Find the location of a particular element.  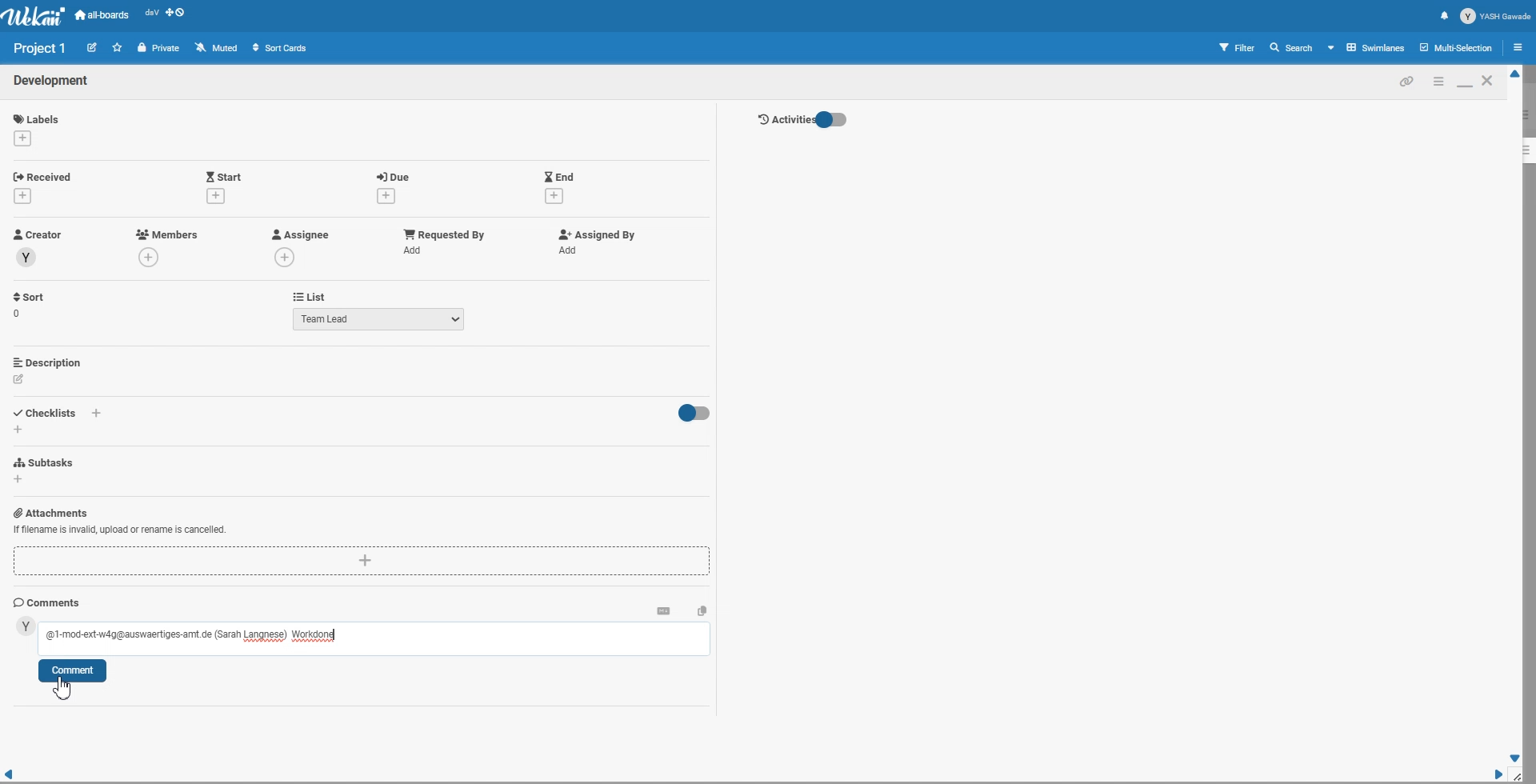

Vertical Scroll bar is located at coordinates (1516, 416).